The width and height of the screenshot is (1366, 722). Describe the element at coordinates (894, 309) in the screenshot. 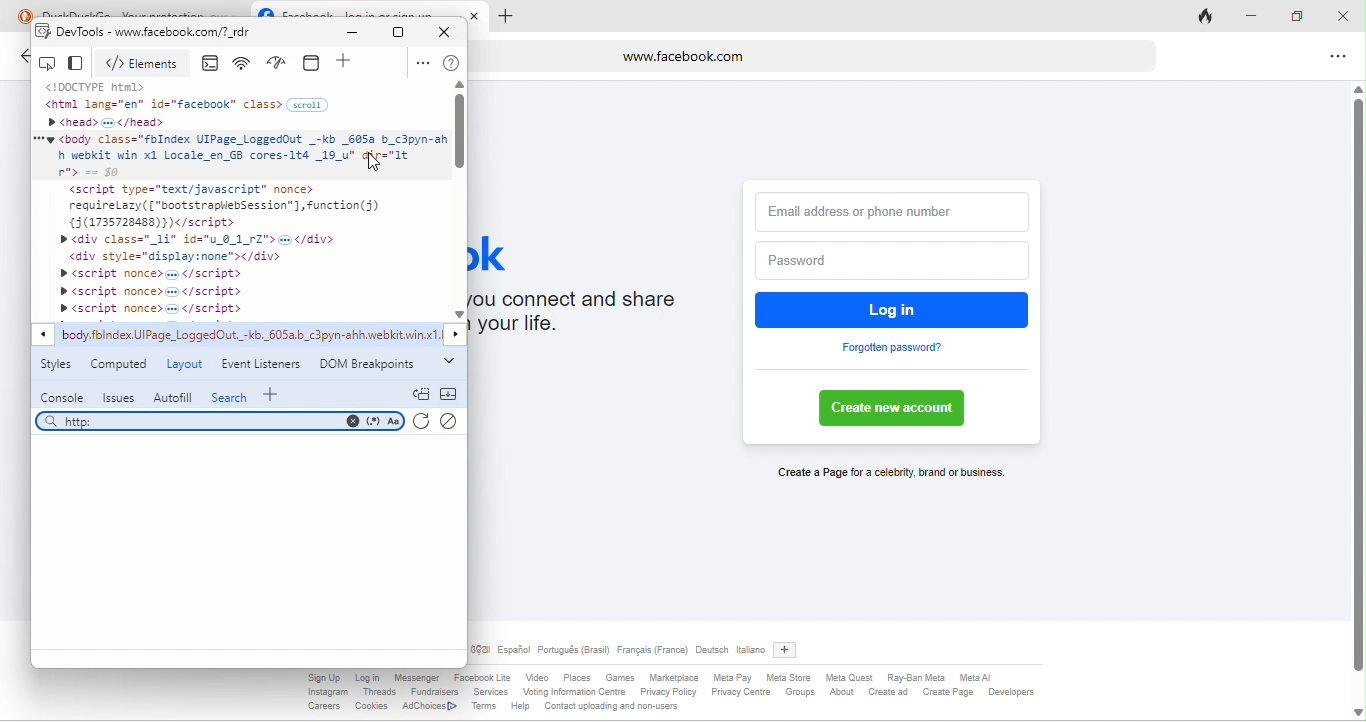

I see `log in` at that location.